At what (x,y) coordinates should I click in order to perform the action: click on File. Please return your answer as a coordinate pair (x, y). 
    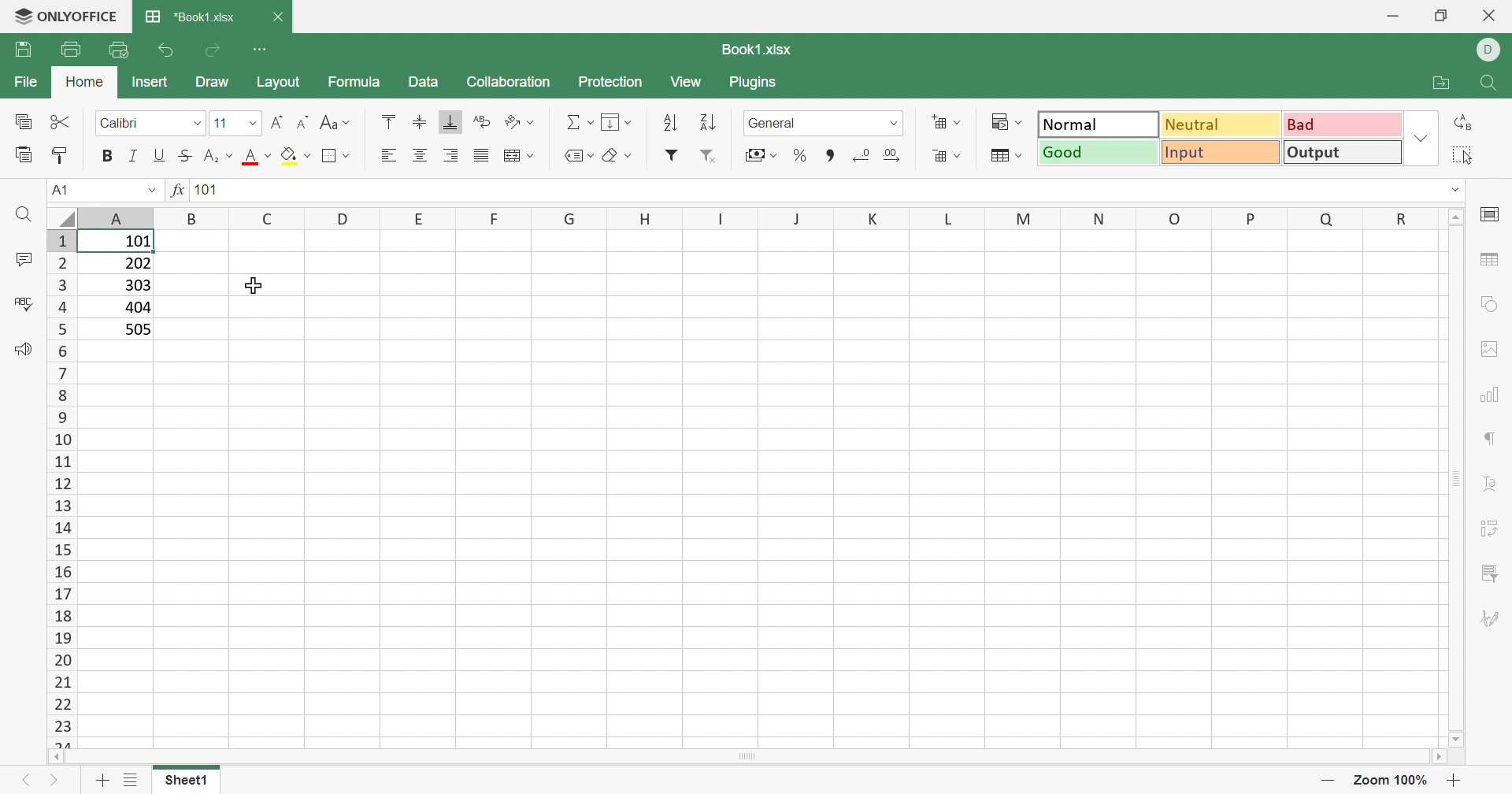
    Looking at the image, I should click on (25, 83).